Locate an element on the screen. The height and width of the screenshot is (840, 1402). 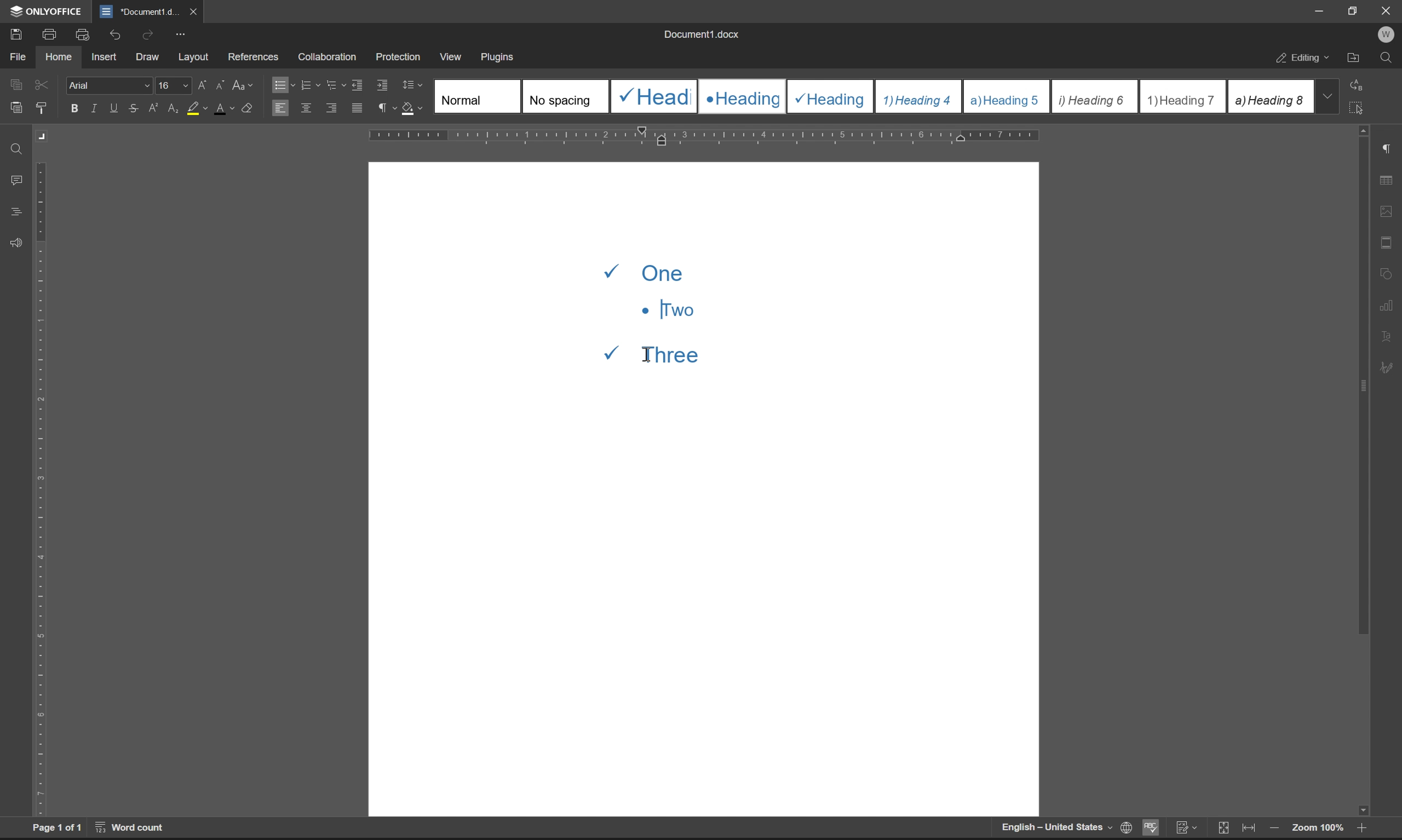
references is located at coordinates (254, 54).